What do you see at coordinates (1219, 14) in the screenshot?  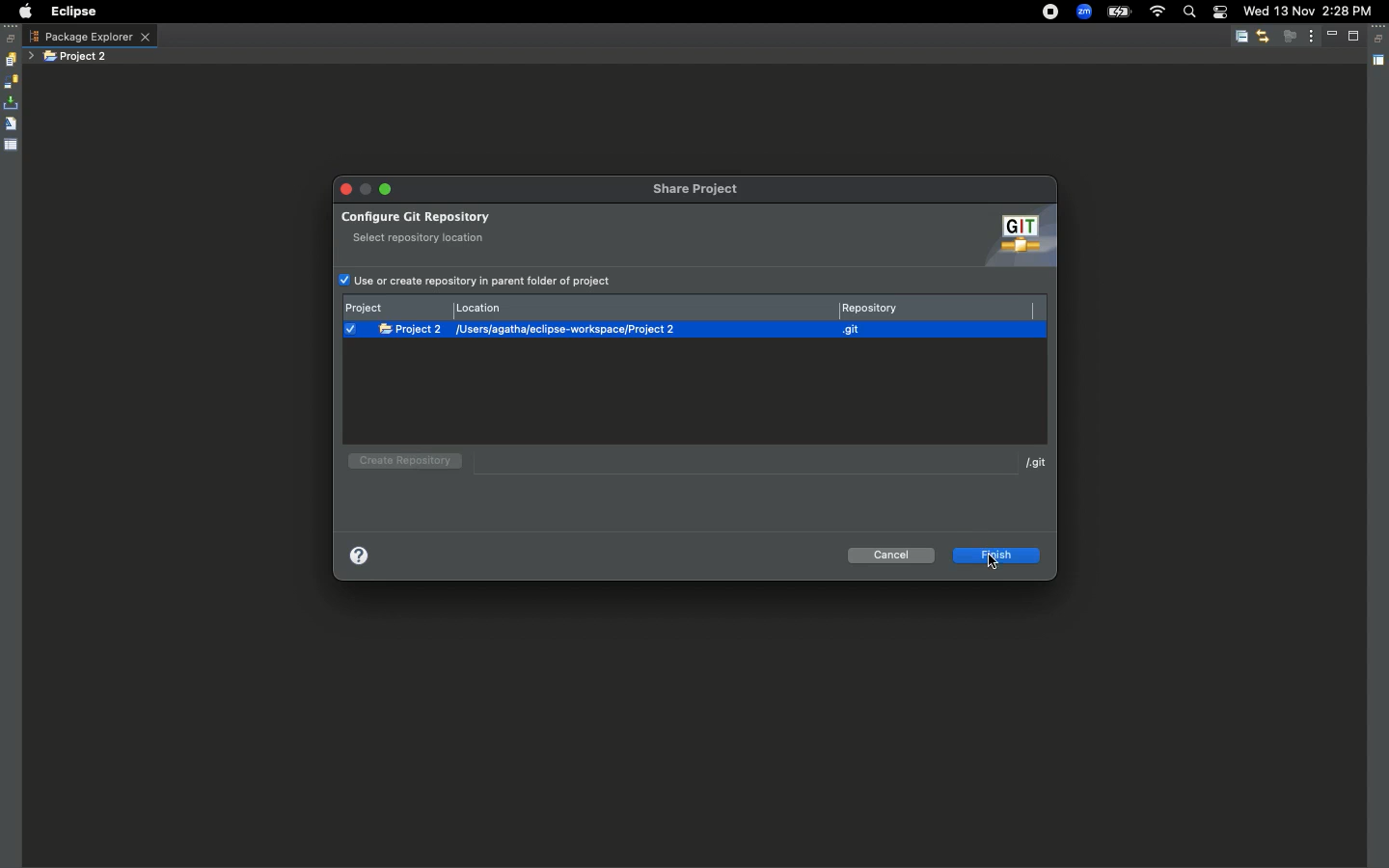 I see `Notification` at bounding box center [1219, 14].